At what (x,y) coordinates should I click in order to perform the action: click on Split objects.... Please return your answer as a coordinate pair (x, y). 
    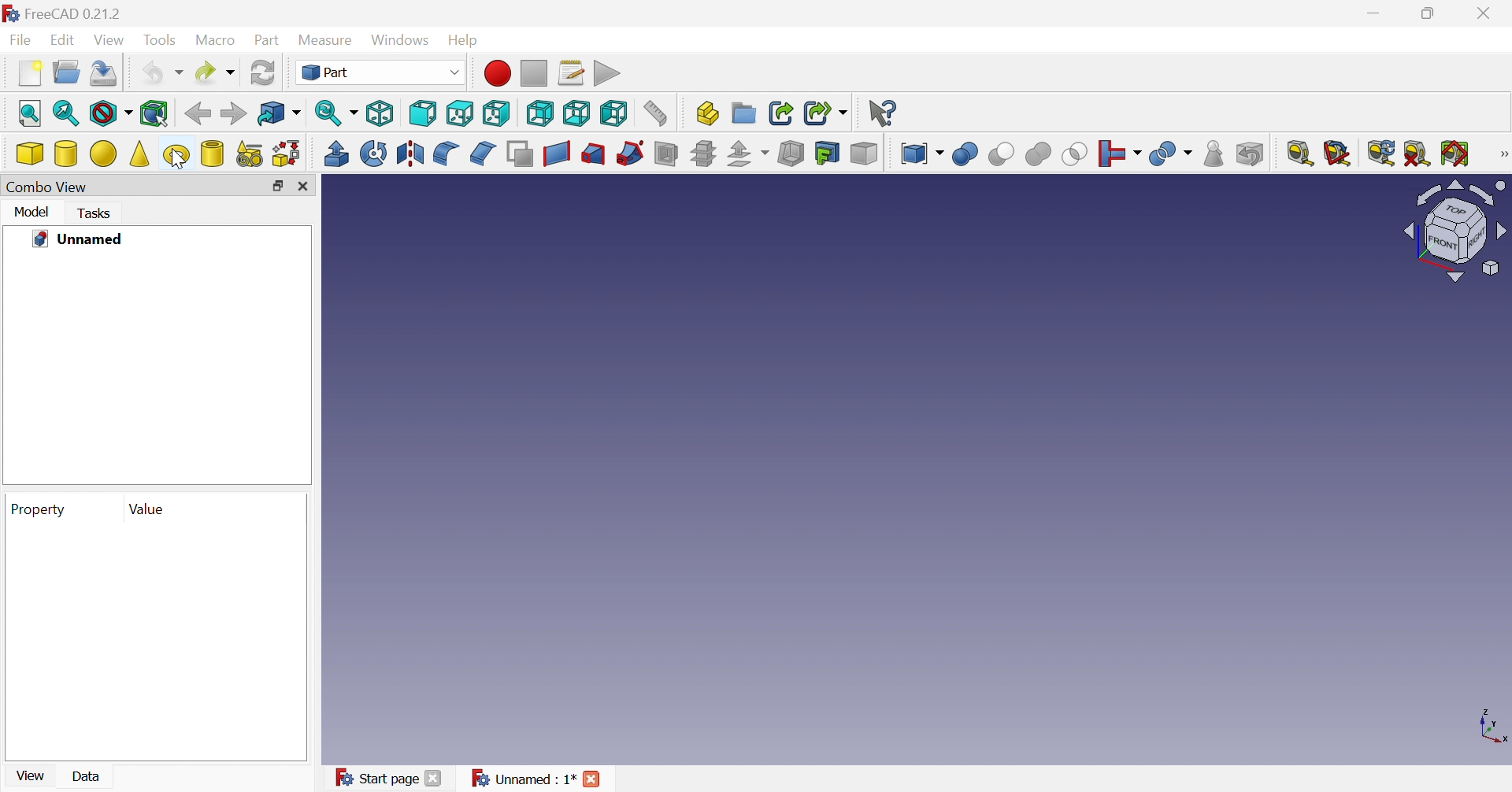
    Looking at the image, I should click on (1118, 154).